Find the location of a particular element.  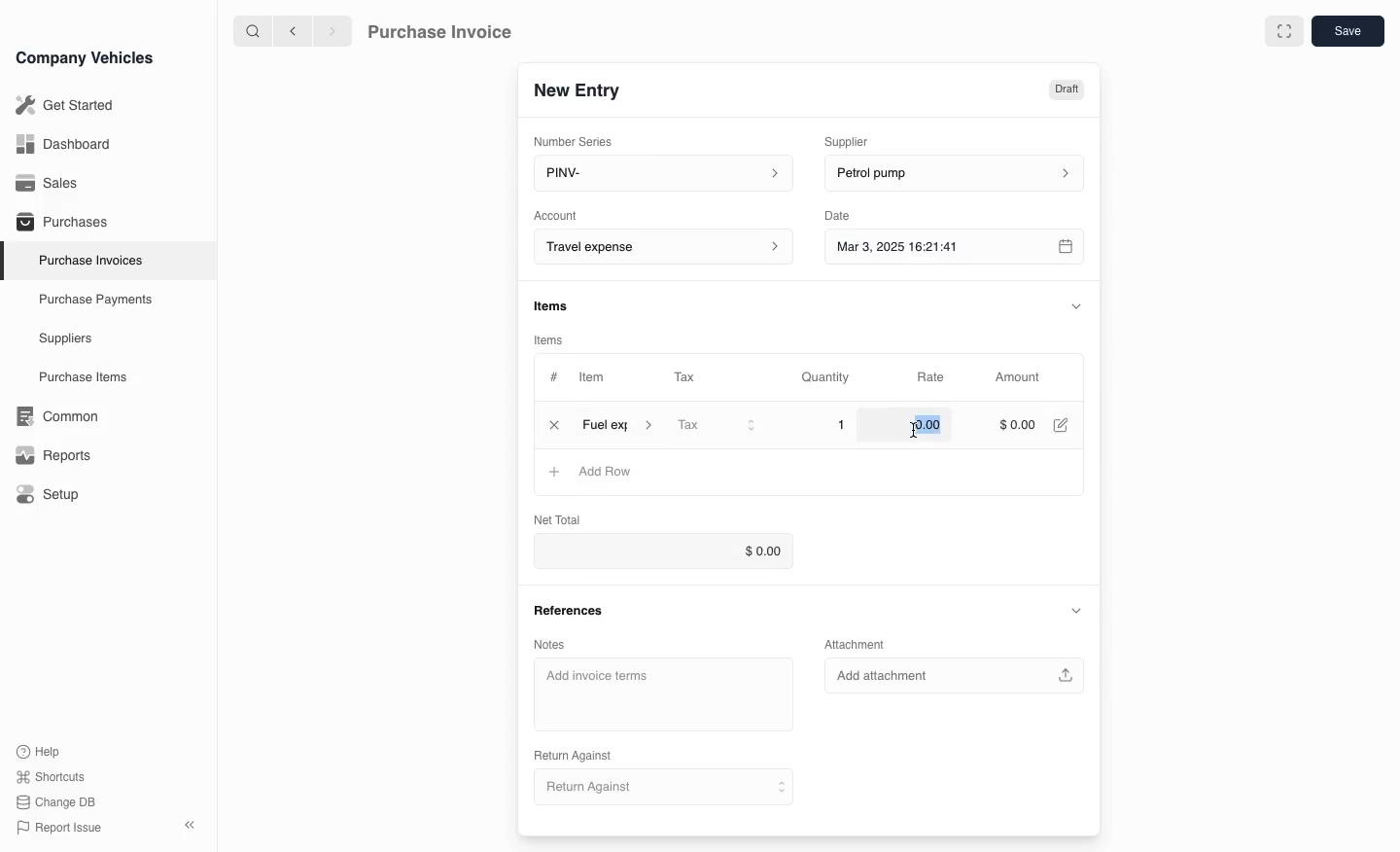

Shortcuts is located at coordinates (52, 778).